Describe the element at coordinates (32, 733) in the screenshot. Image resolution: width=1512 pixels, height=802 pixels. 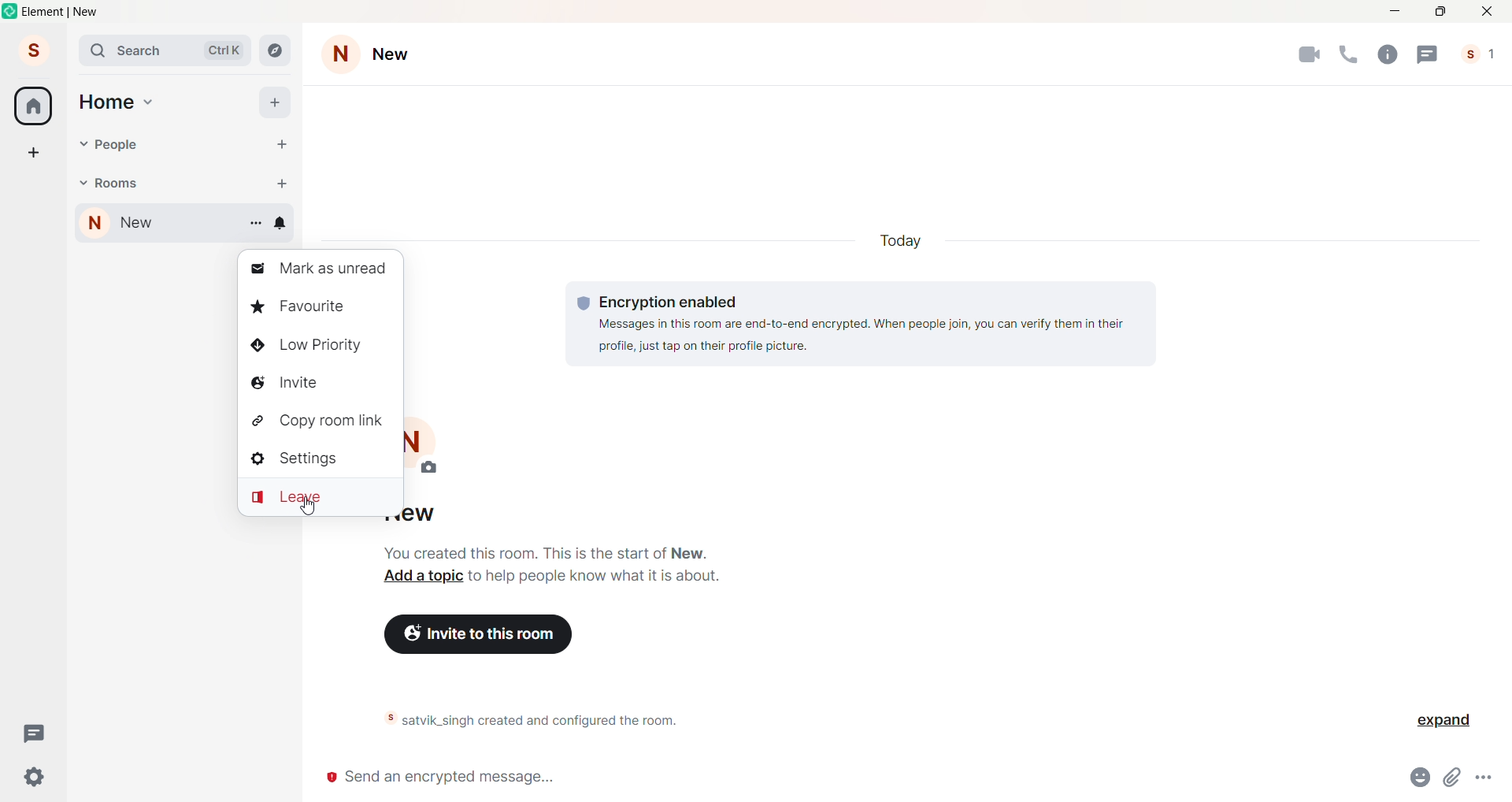
I see `Threads` at that location.